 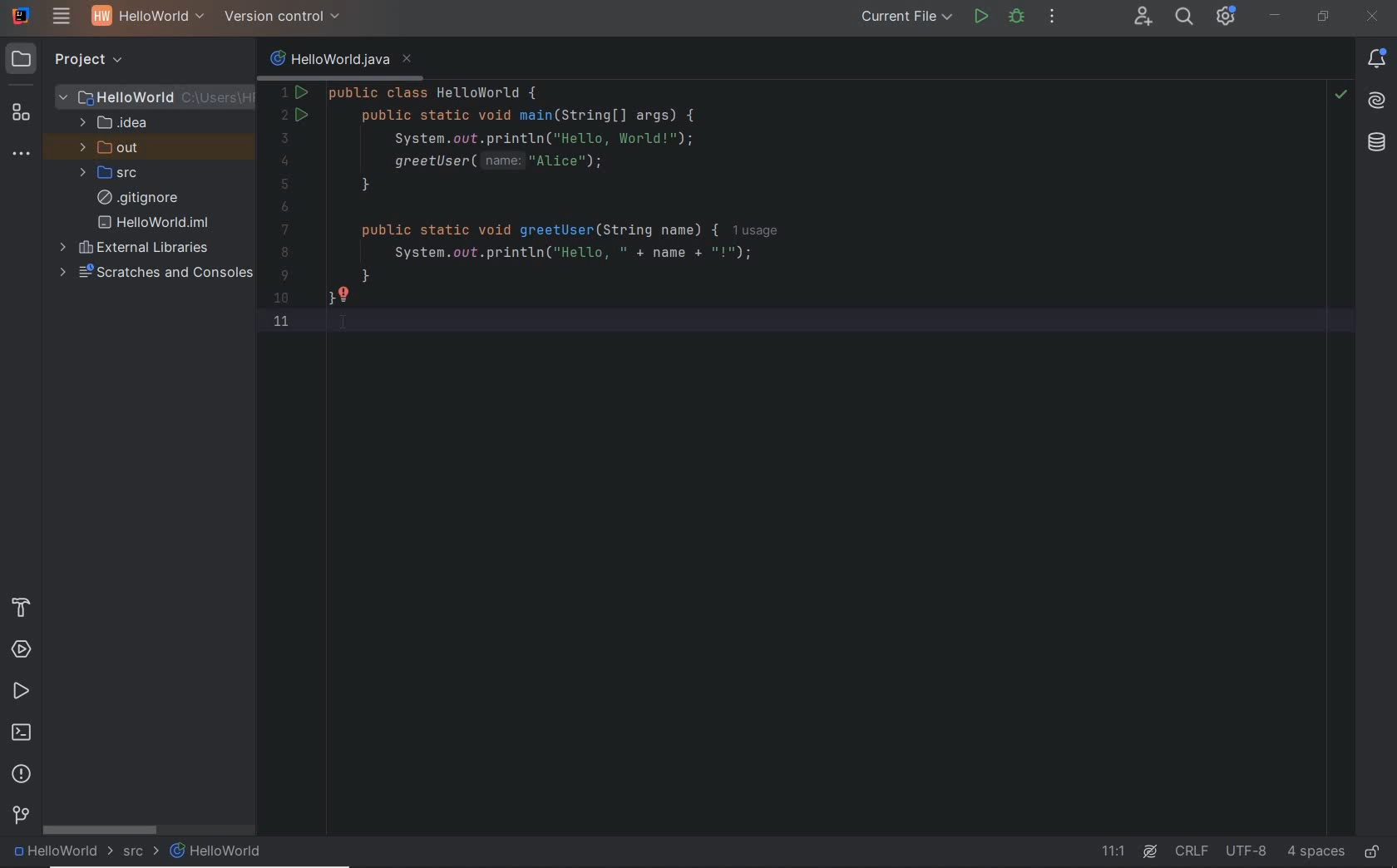 I want to click on This java code defines a HelloWorld class with a main method that prints "Hello,World!" and attempts to call a greetUser method with "Alice"., so click(x=762, y=218).